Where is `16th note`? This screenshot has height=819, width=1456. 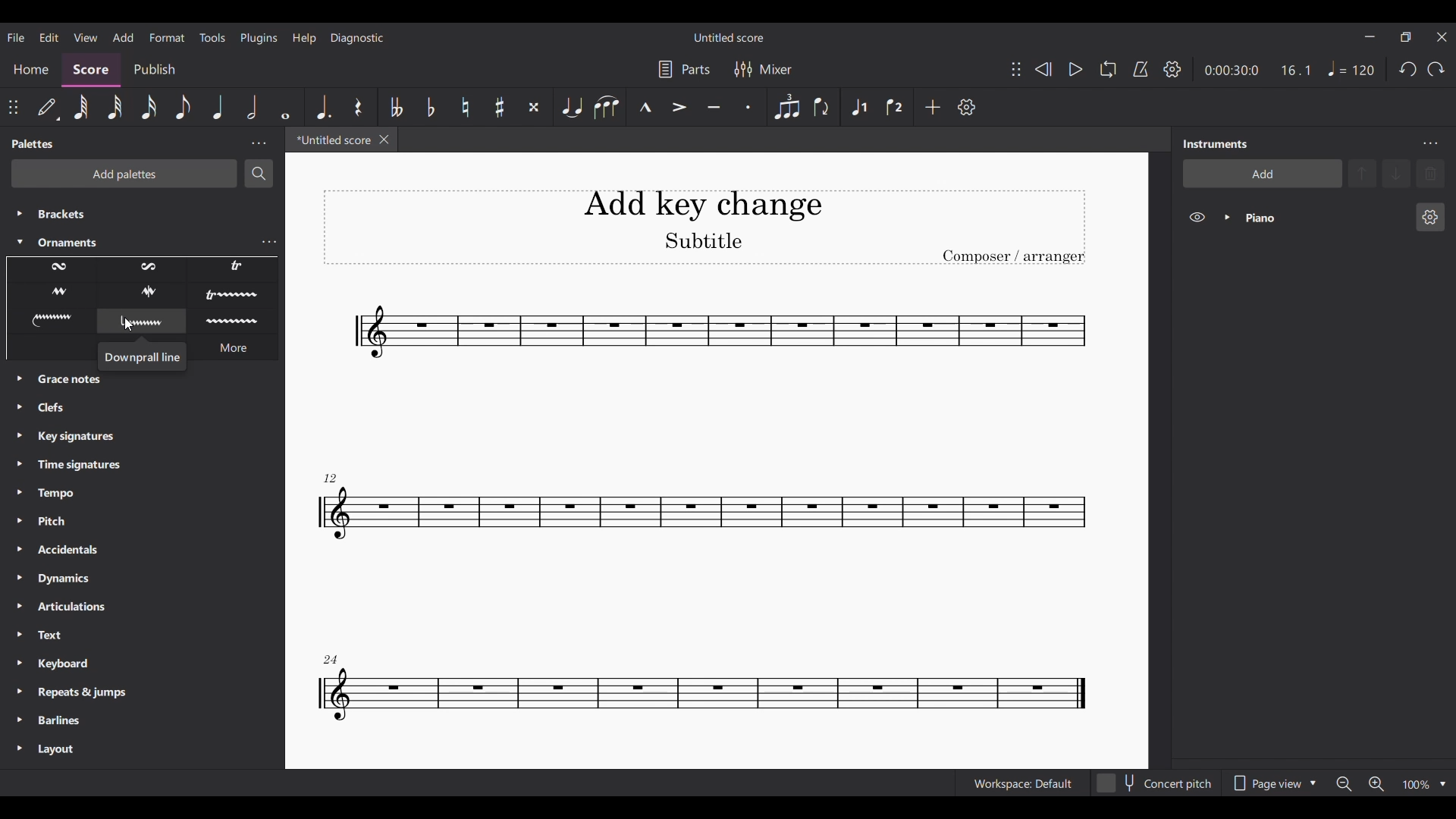
16th note is located at coordinates (149, 106).